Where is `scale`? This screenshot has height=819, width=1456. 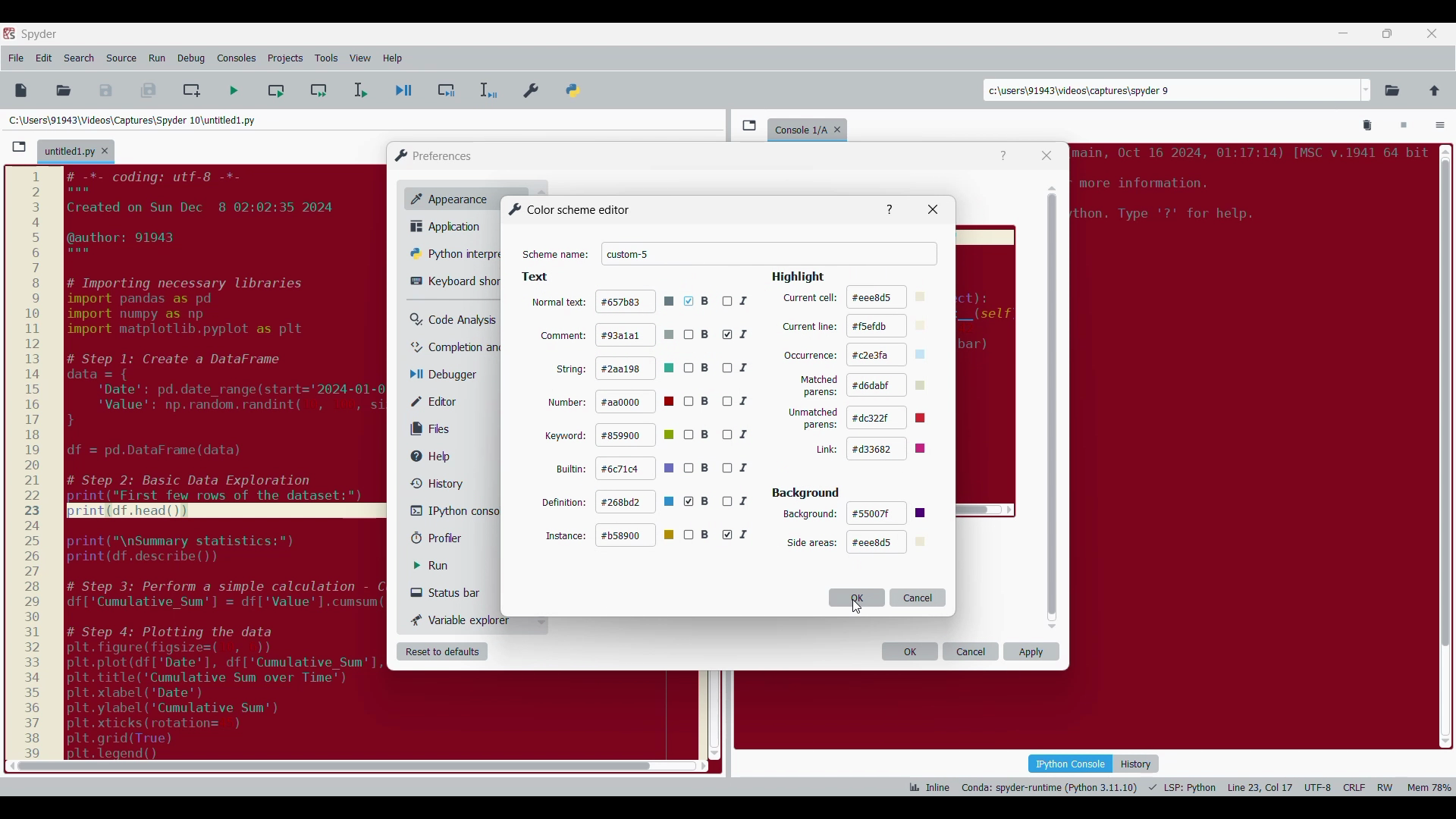
scale is located at coordinates (32, 463).